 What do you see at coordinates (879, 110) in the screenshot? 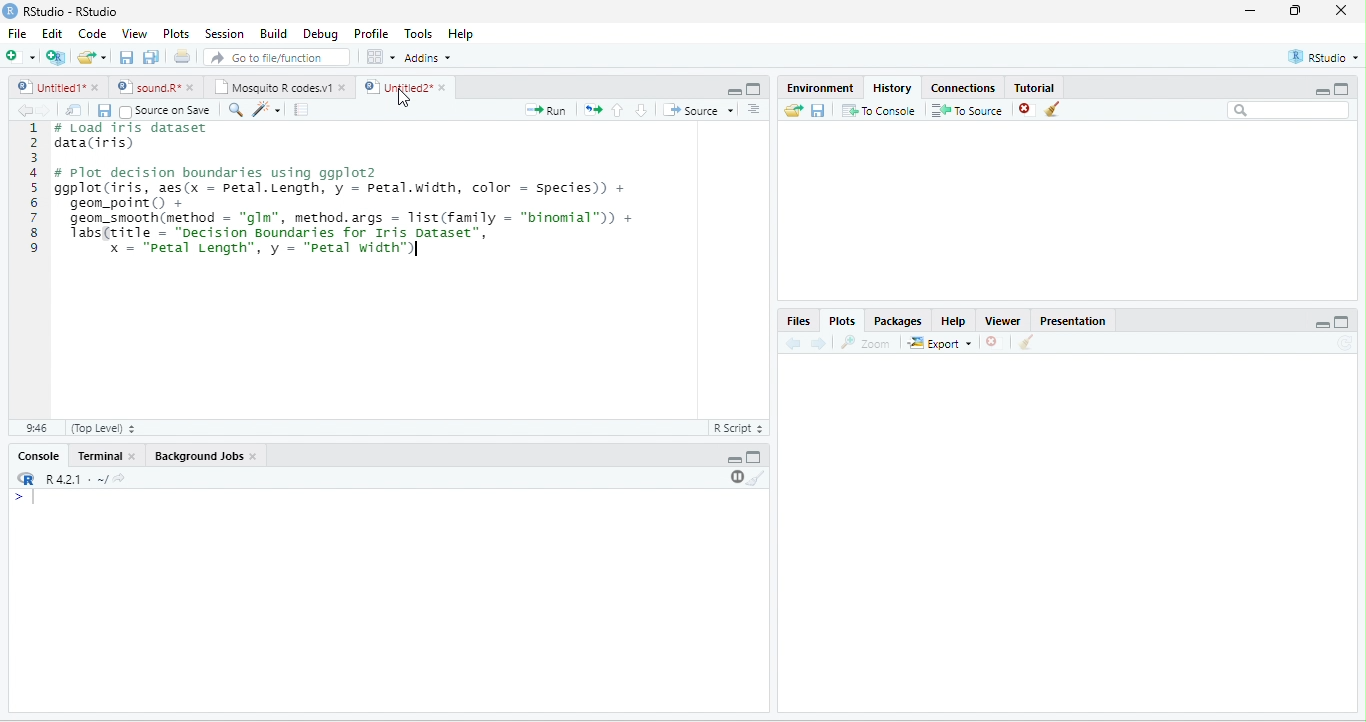
I see `To console` at bounding box center [879, 110].